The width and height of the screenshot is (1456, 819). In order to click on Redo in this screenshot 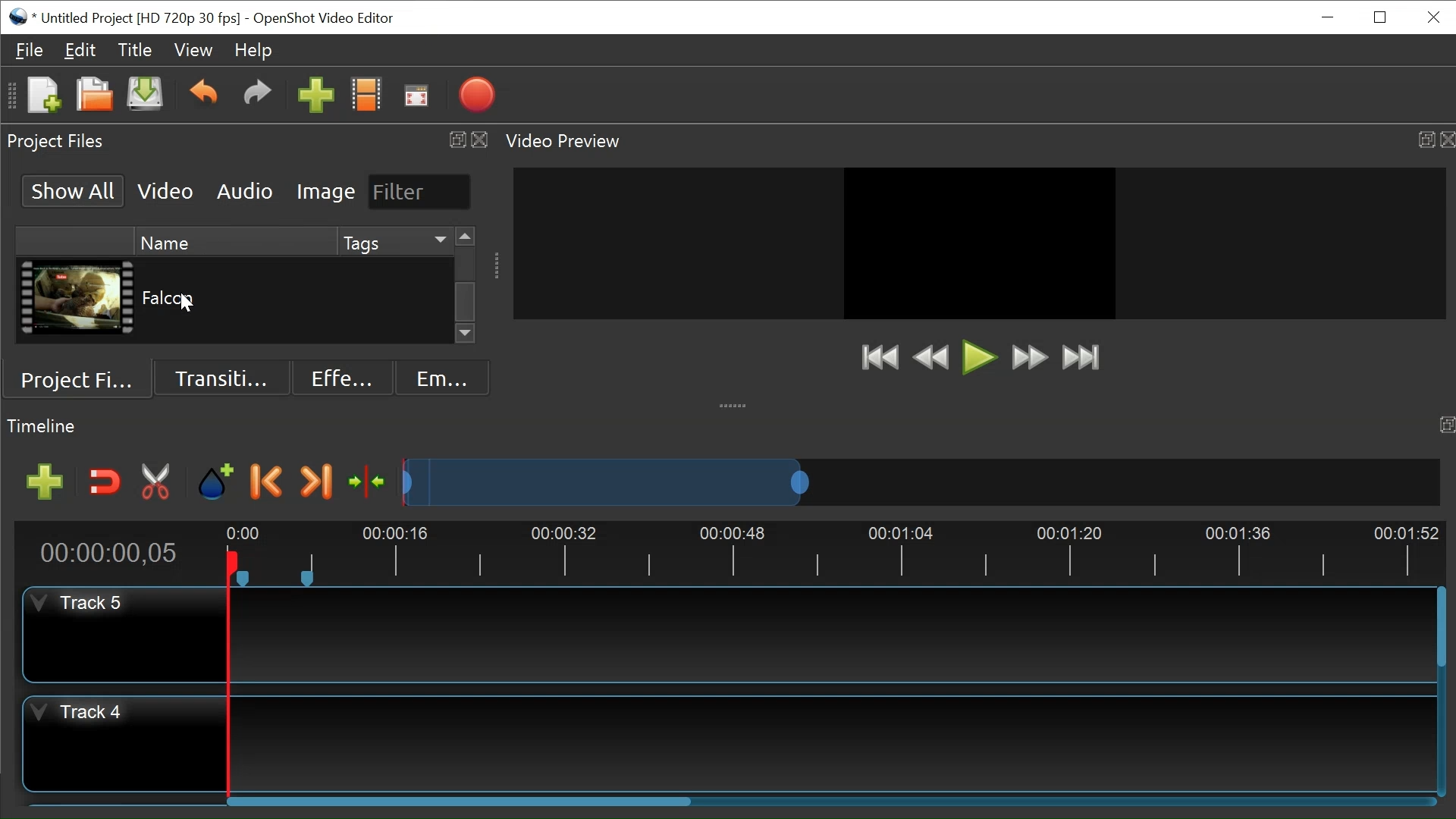, I will do `click(257, 96)`.